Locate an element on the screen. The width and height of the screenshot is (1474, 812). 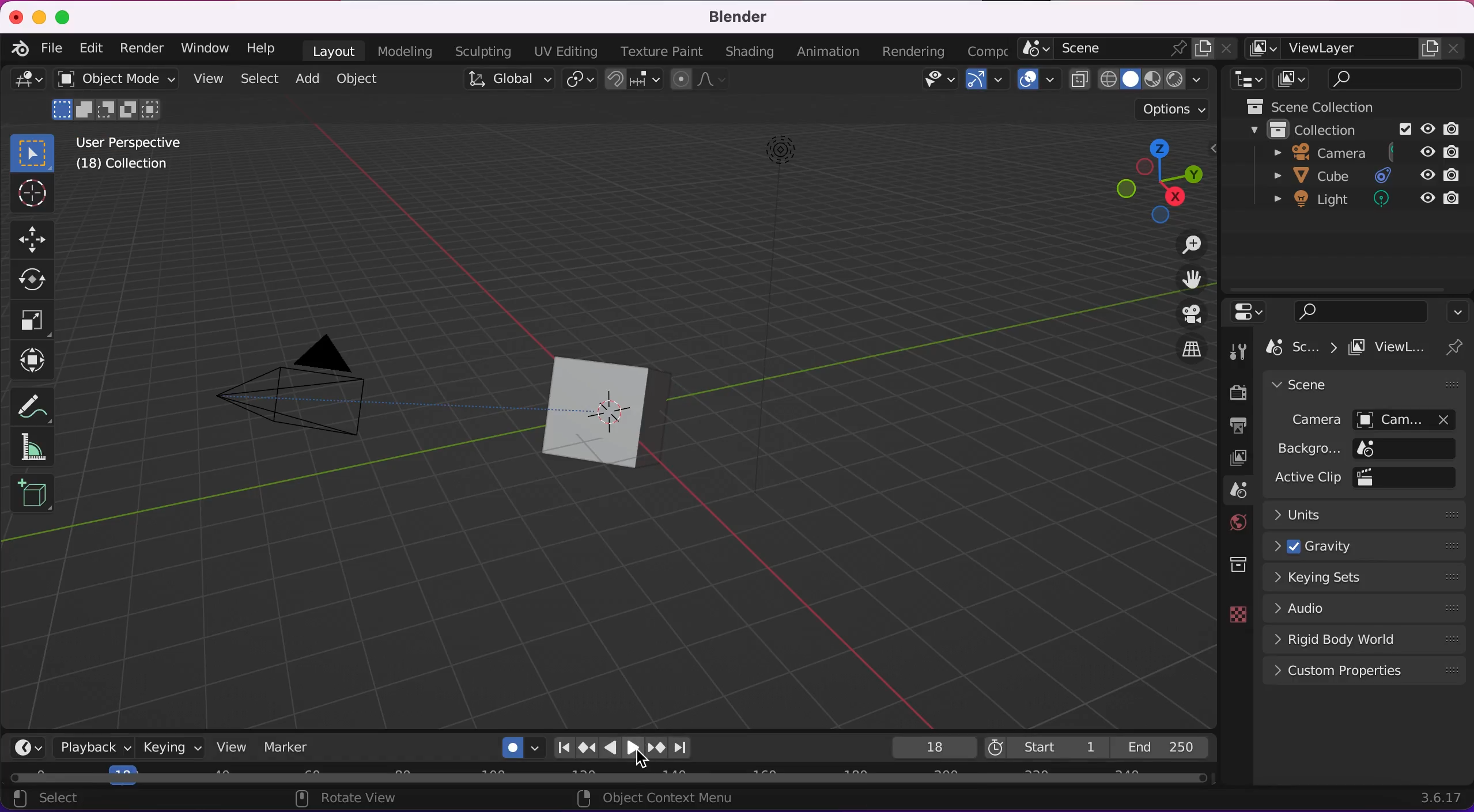
blender is located at coordinates (20, 50).